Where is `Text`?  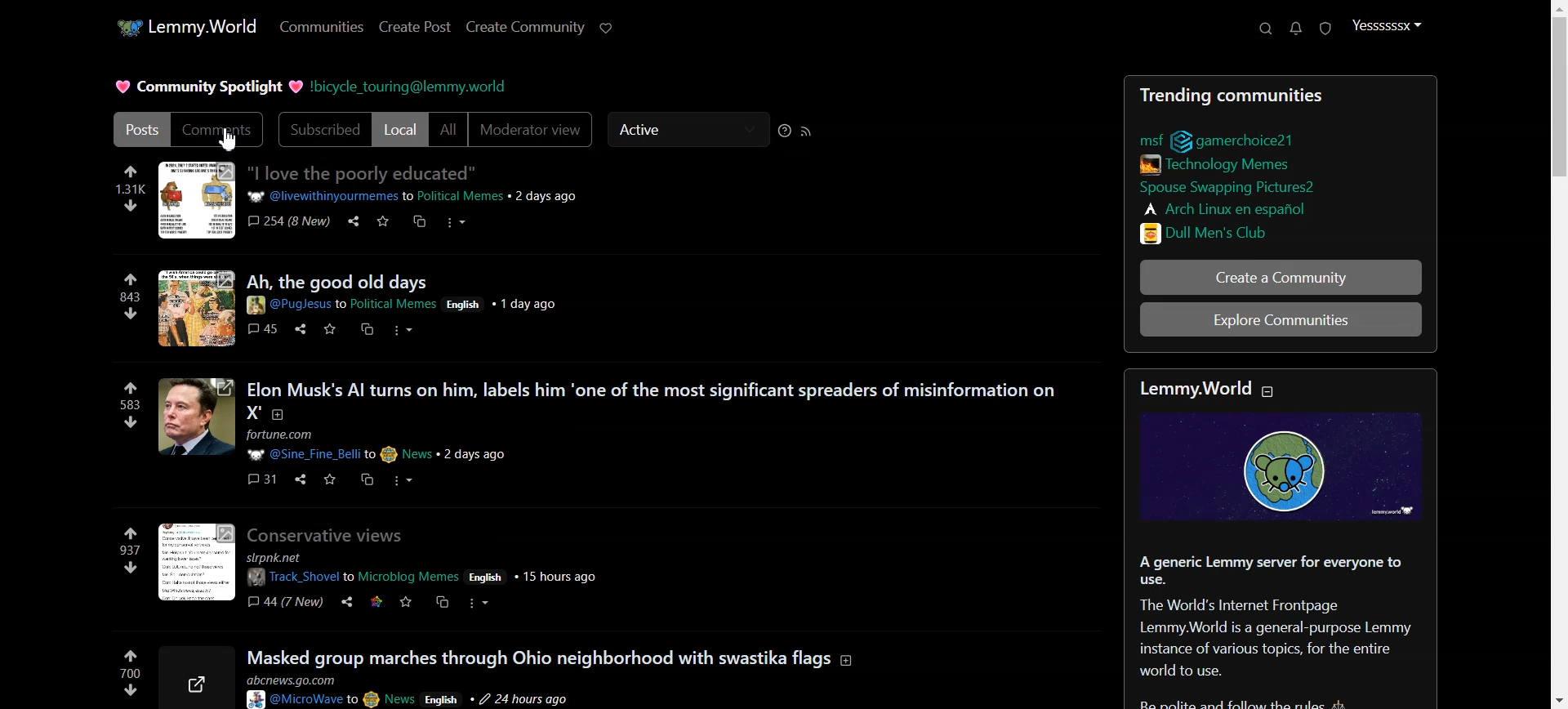 Text is located at coordinates (208, 88).